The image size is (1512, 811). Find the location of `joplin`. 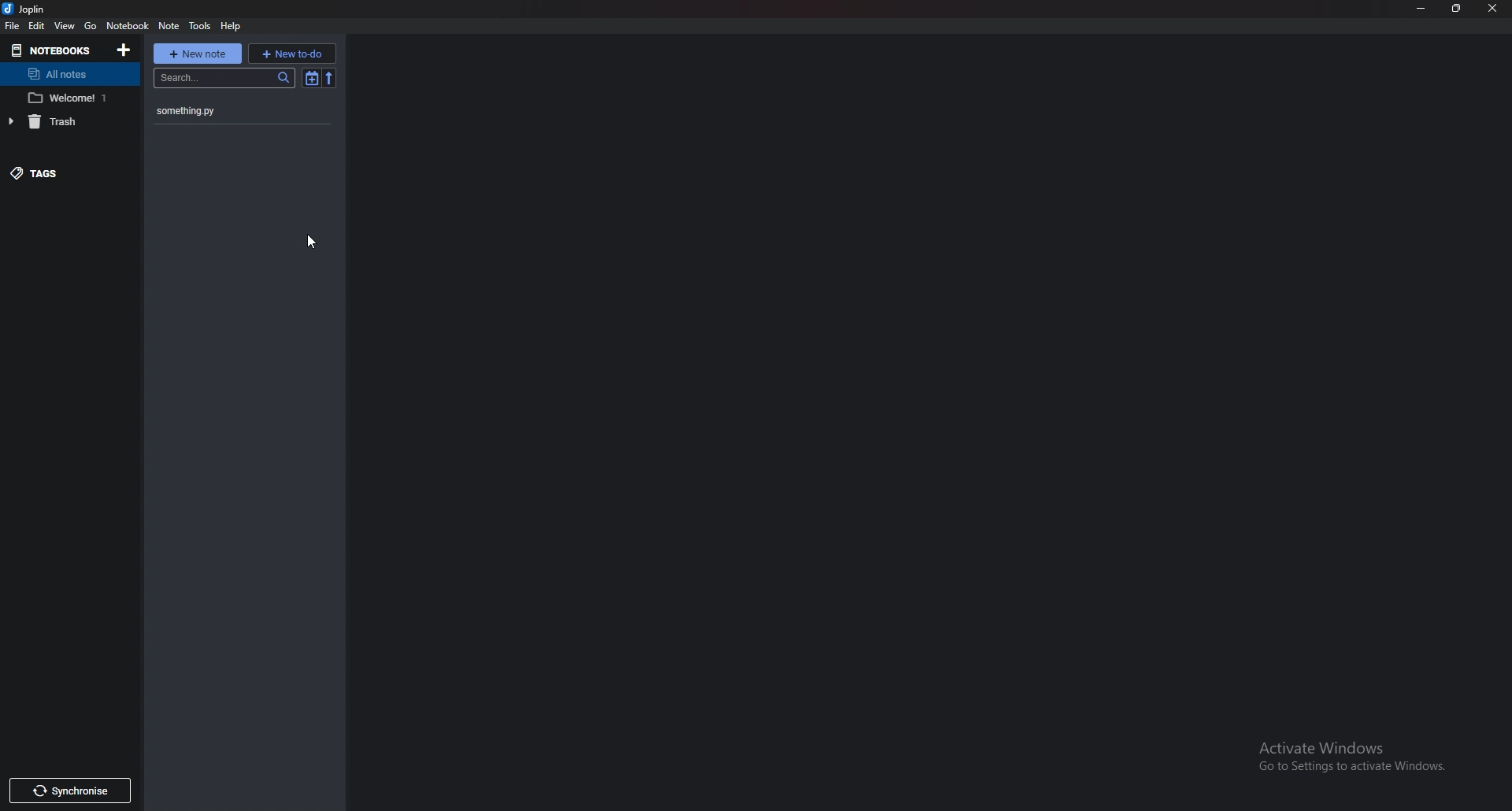

joplin is located at coordinates (27, 9).